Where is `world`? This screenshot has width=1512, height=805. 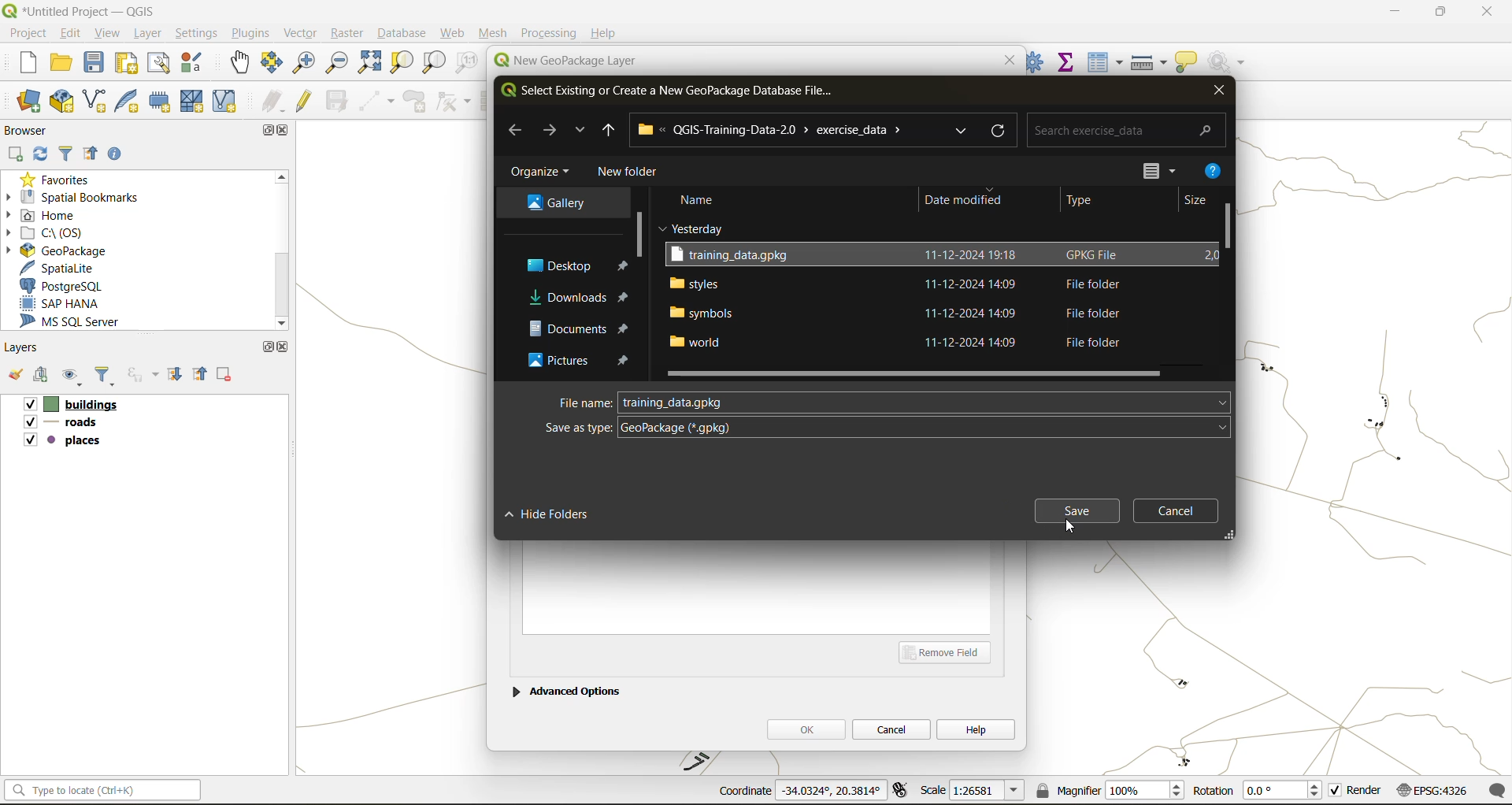 world is located at coordinates (699, 343).